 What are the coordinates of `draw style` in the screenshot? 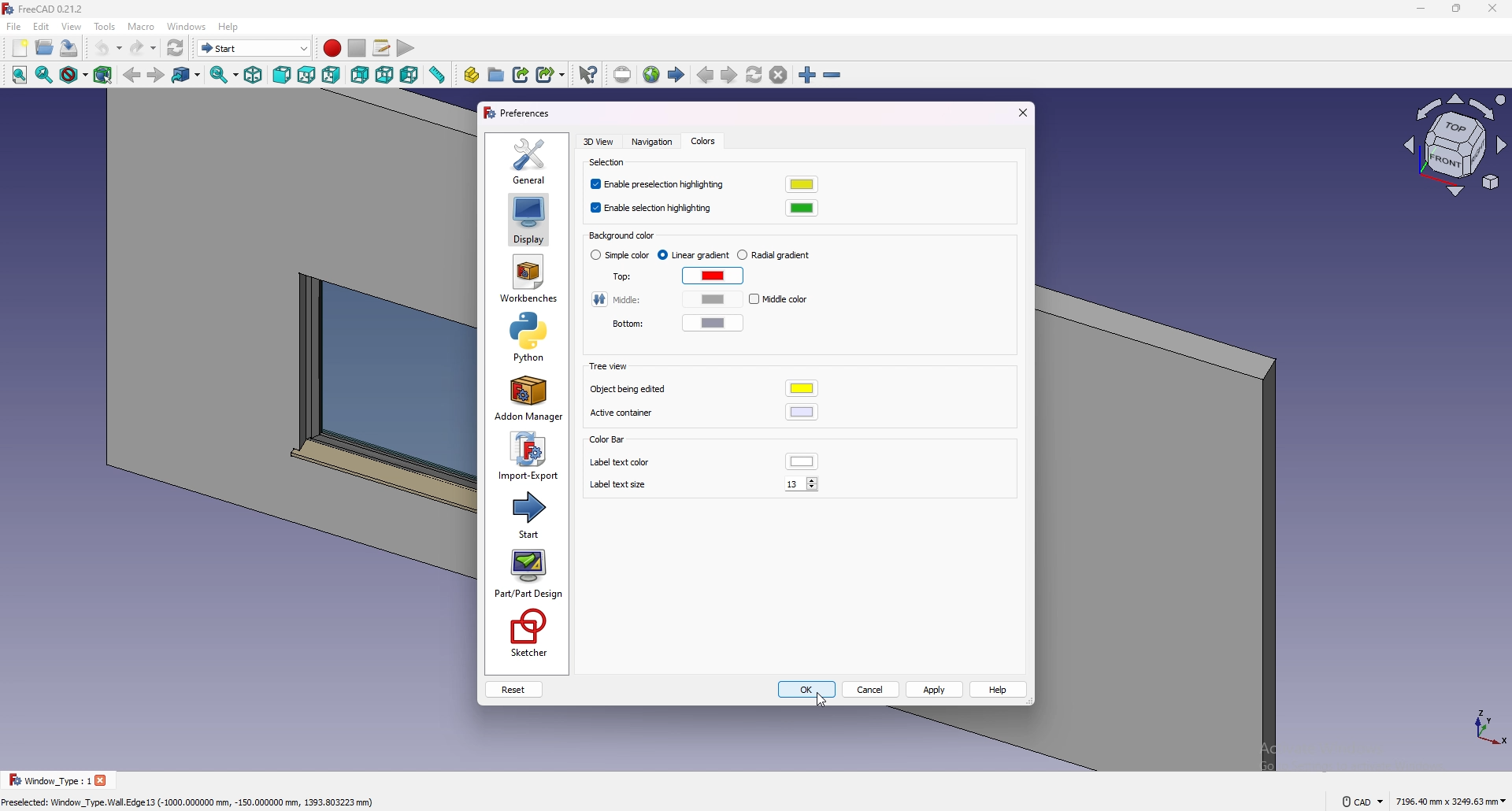 It's located at (74, 76).